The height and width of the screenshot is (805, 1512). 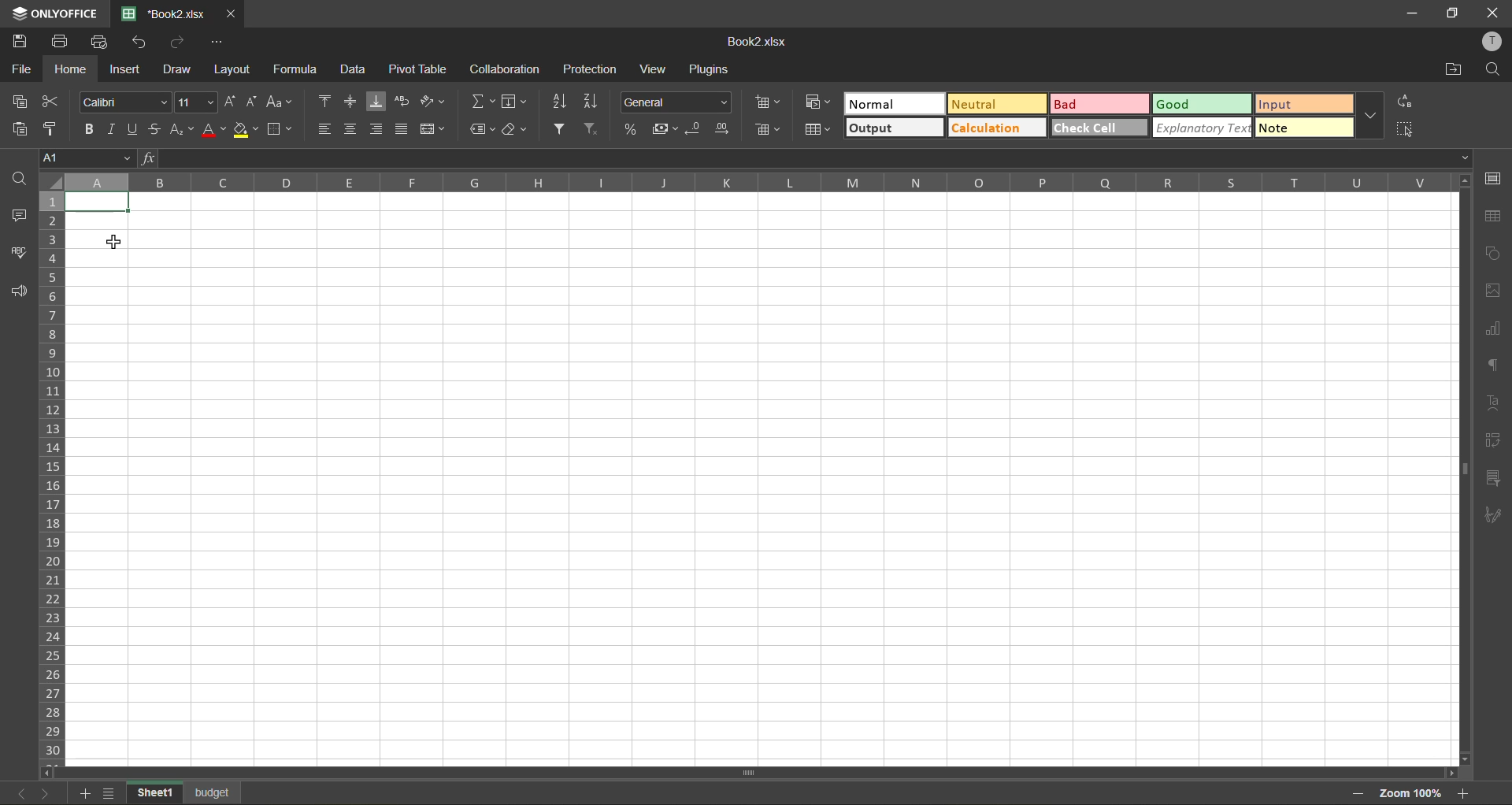 I want to click on save, so click(x=20, y=42).